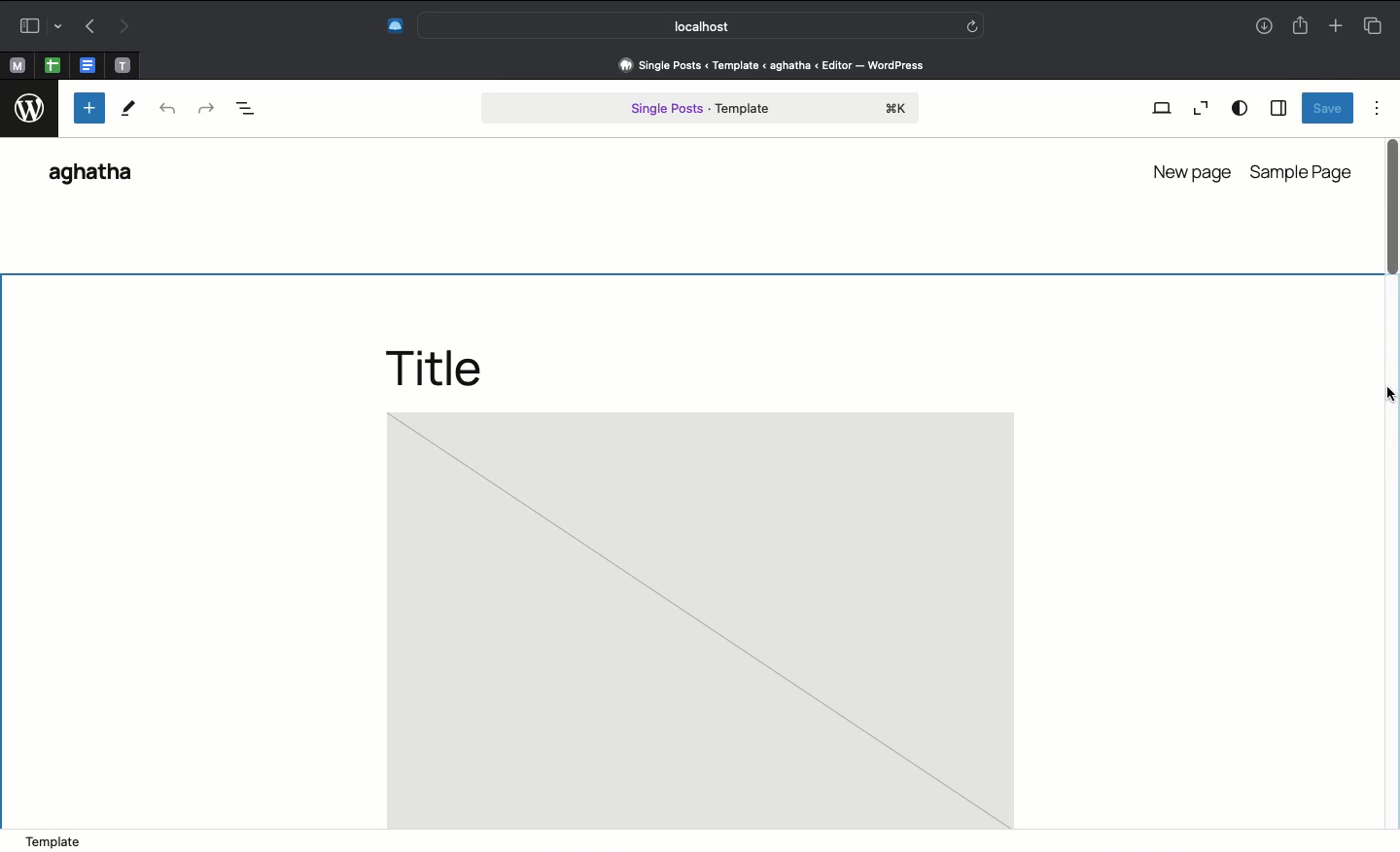 Image resolution: width=1400 pixels, height=852 pixels. What do you see at coordinates (1326, 108) in the screenshot?
I see `Save` at bounding box center [1326, 108].